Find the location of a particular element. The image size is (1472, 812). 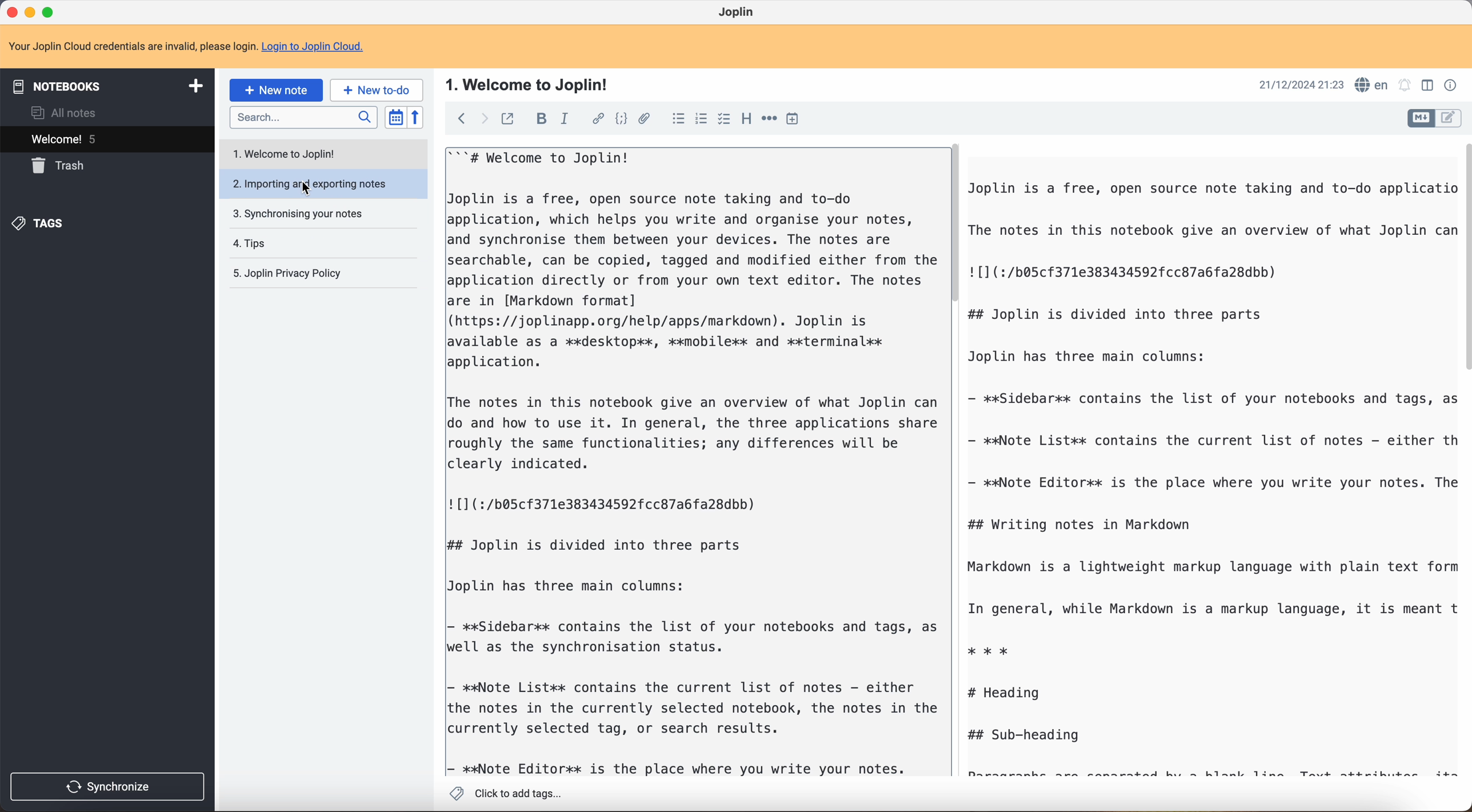

hyperlink is located at coordinates (597, 119).